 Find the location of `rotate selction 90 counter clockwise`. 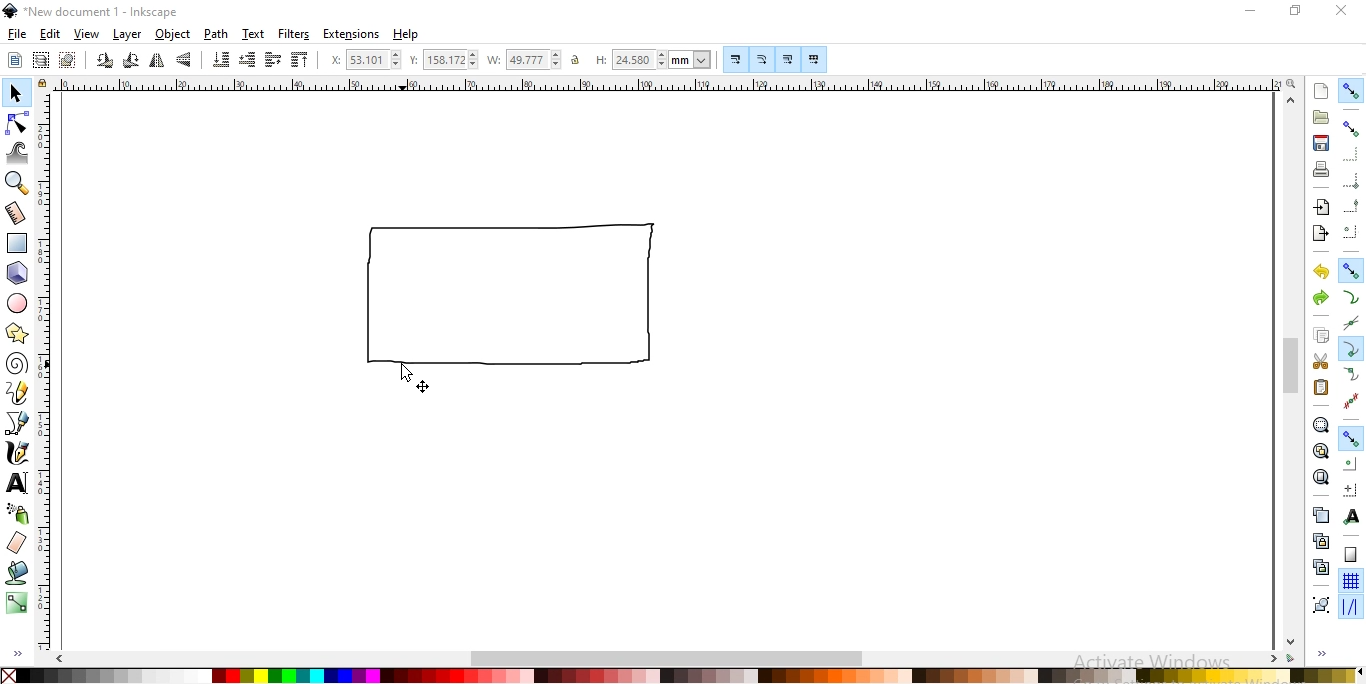

rotate selction 90 counter clockwise is located at coordinates (104, 61).